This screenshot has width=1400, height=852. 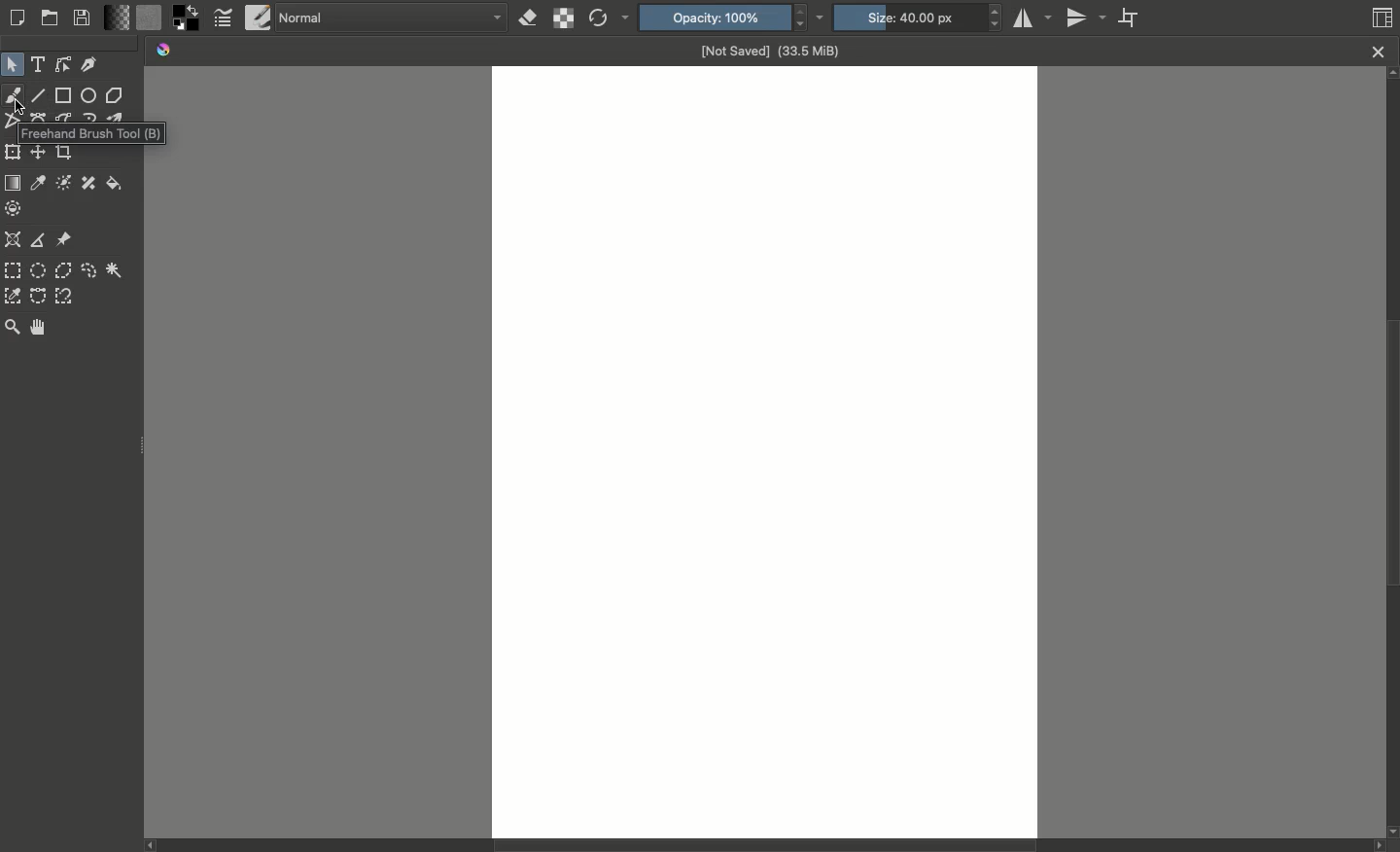 What do you see at coordinates (90, 97) in the screenshot?
I see `Ellipse tool` at bounding box center [90, 97].